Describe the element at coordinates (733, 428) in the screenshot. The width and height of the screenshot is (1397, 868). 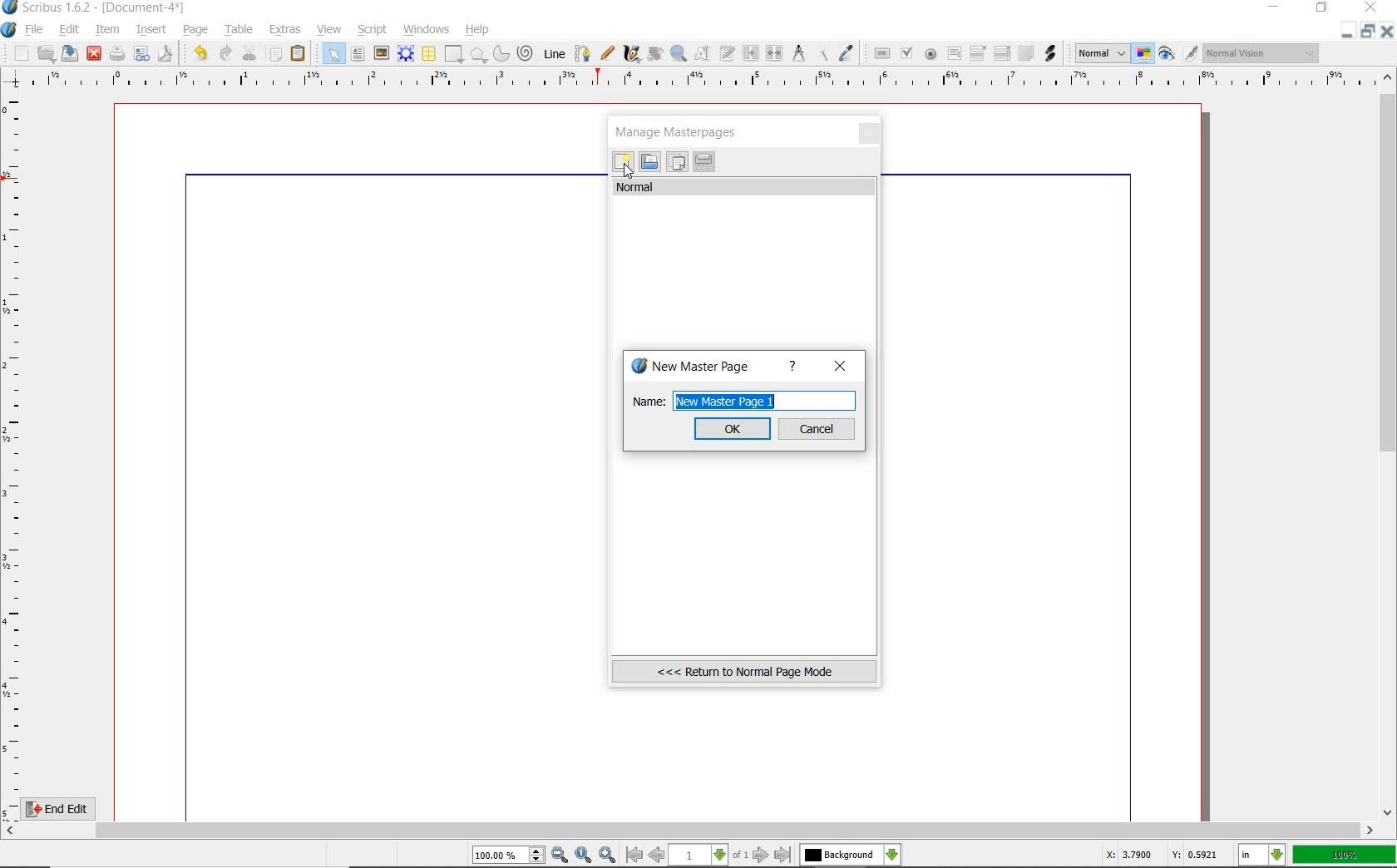
I see `ok` at that location.